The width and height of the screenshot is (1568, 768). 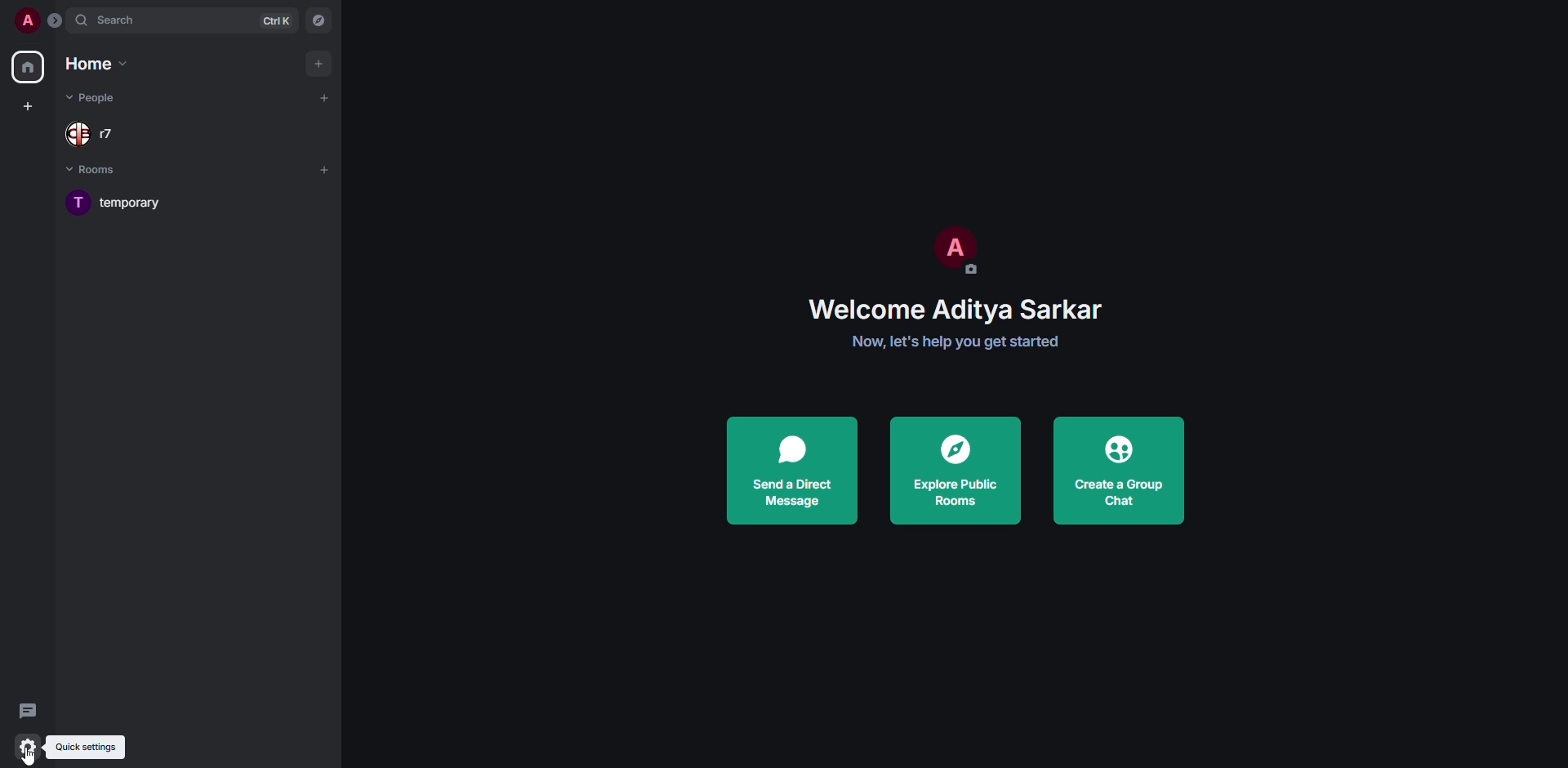 I want to click on quick settings, so click(x=86, y=747).